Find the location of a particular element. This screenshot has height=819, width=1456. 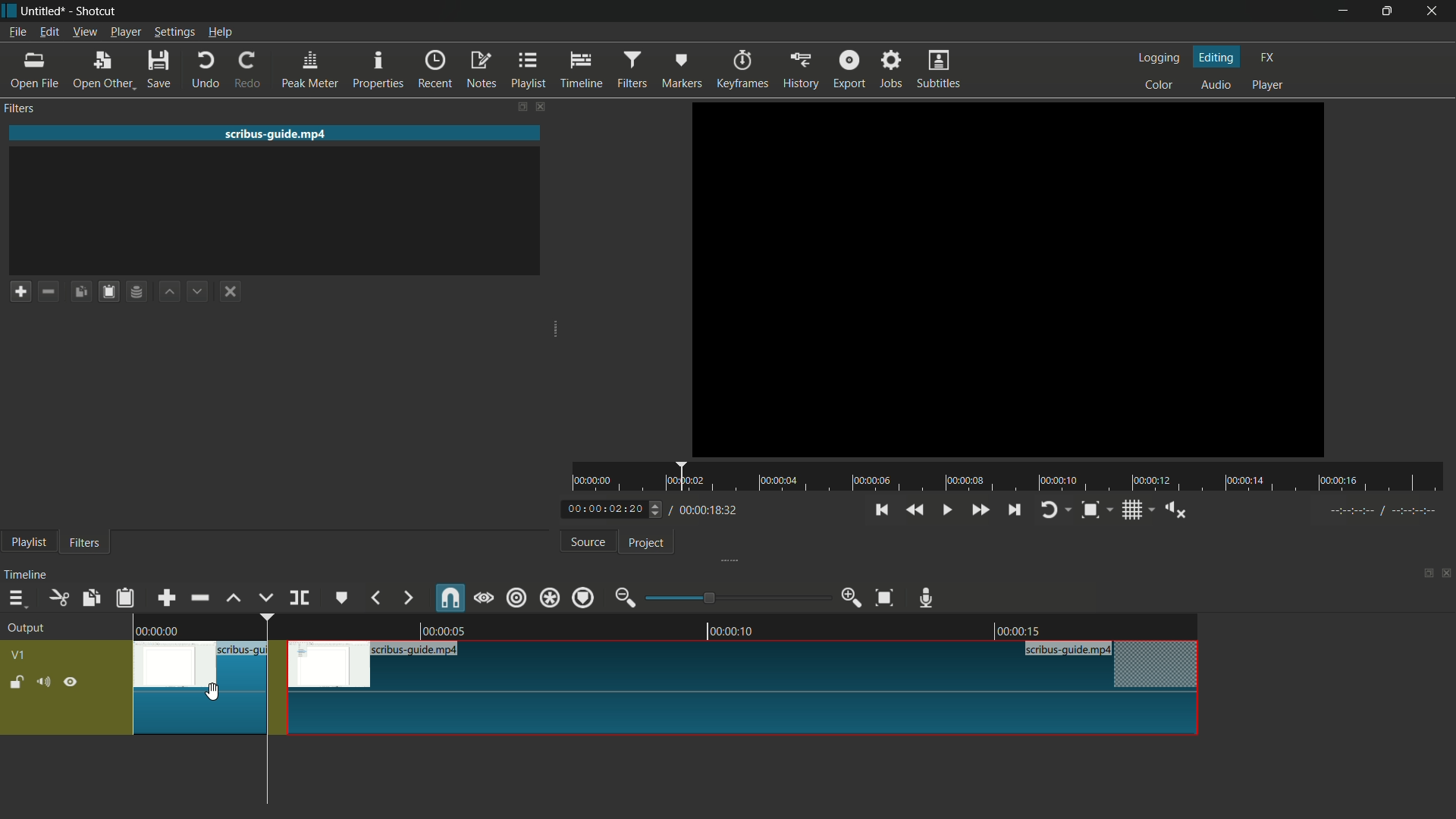

logging is located at coordinates (1157, 58).